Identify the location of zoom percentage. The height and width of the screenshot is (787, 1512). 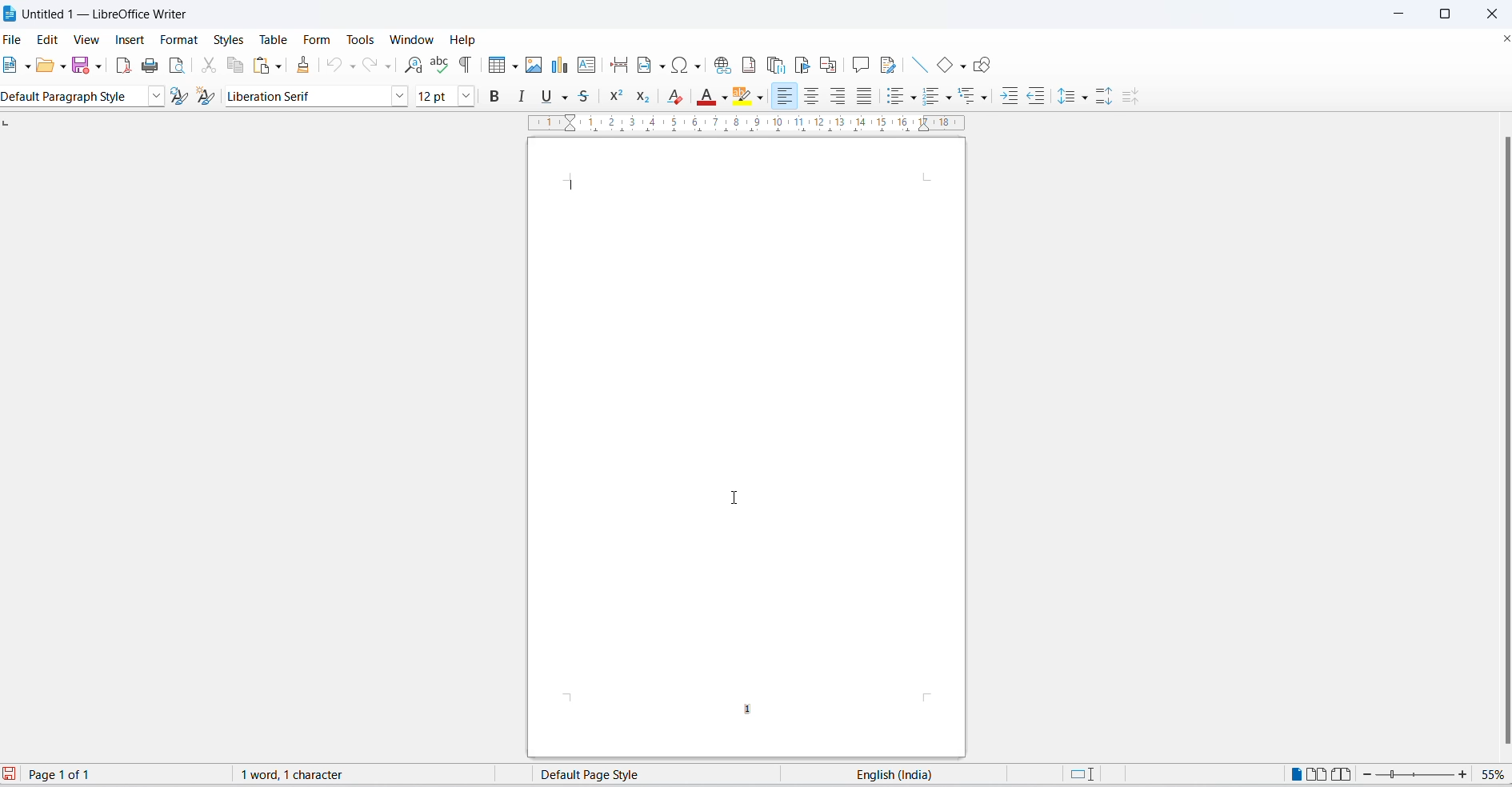
(1492, 775).